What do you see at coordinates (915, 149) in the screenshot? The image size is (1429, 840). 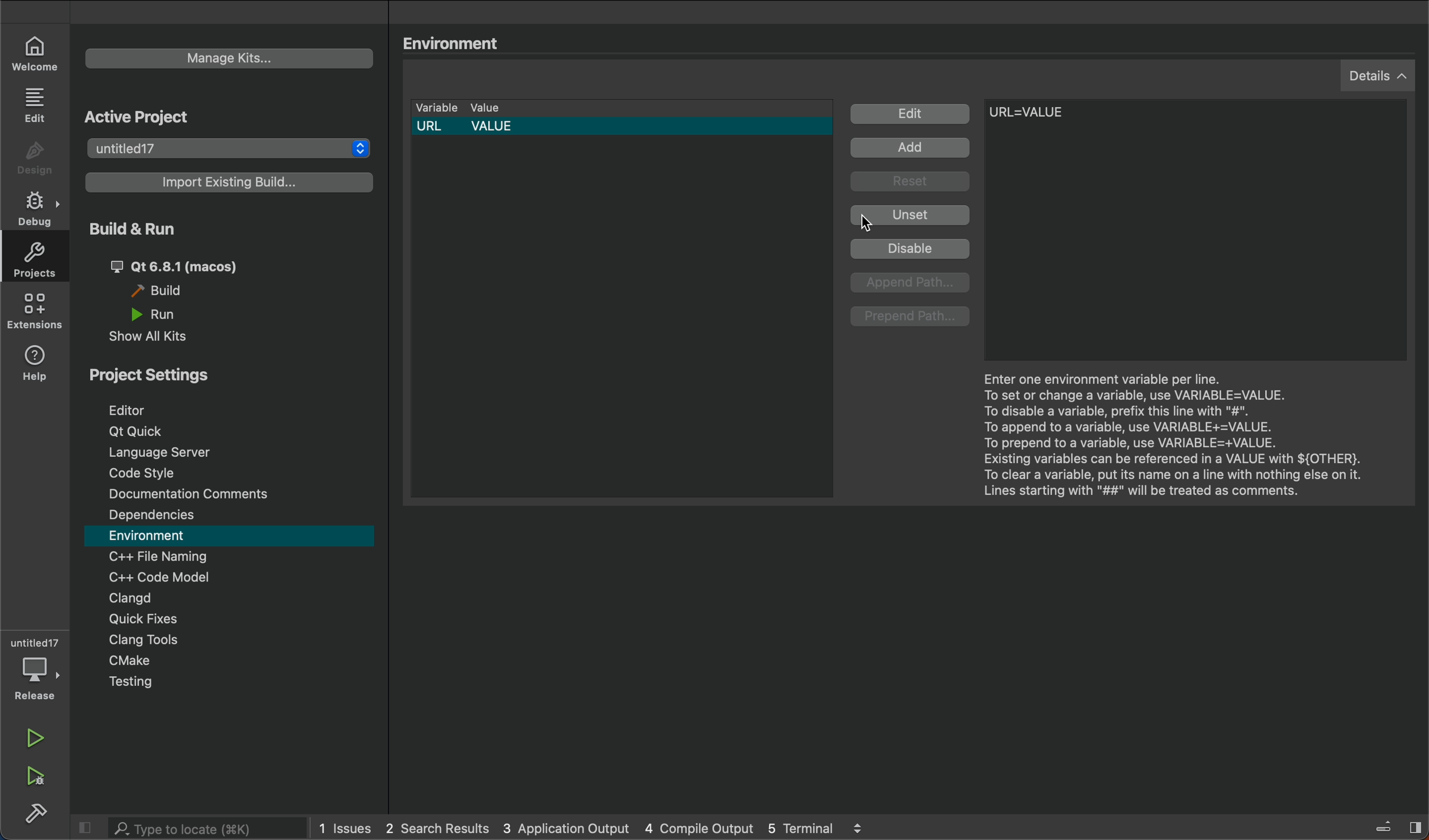 I see `add` at bounding box center [915, 149].